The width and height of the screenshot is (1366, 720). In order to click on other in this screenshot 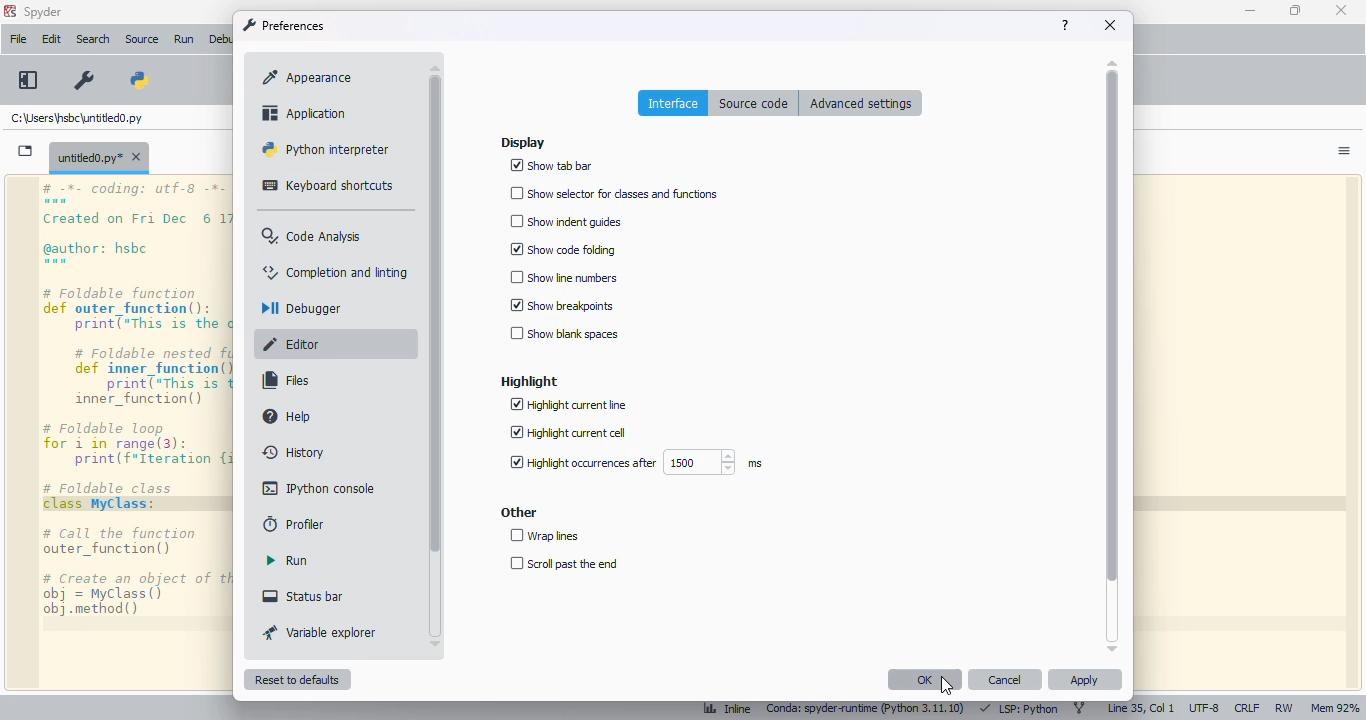, I will do `click(518, 512)`.